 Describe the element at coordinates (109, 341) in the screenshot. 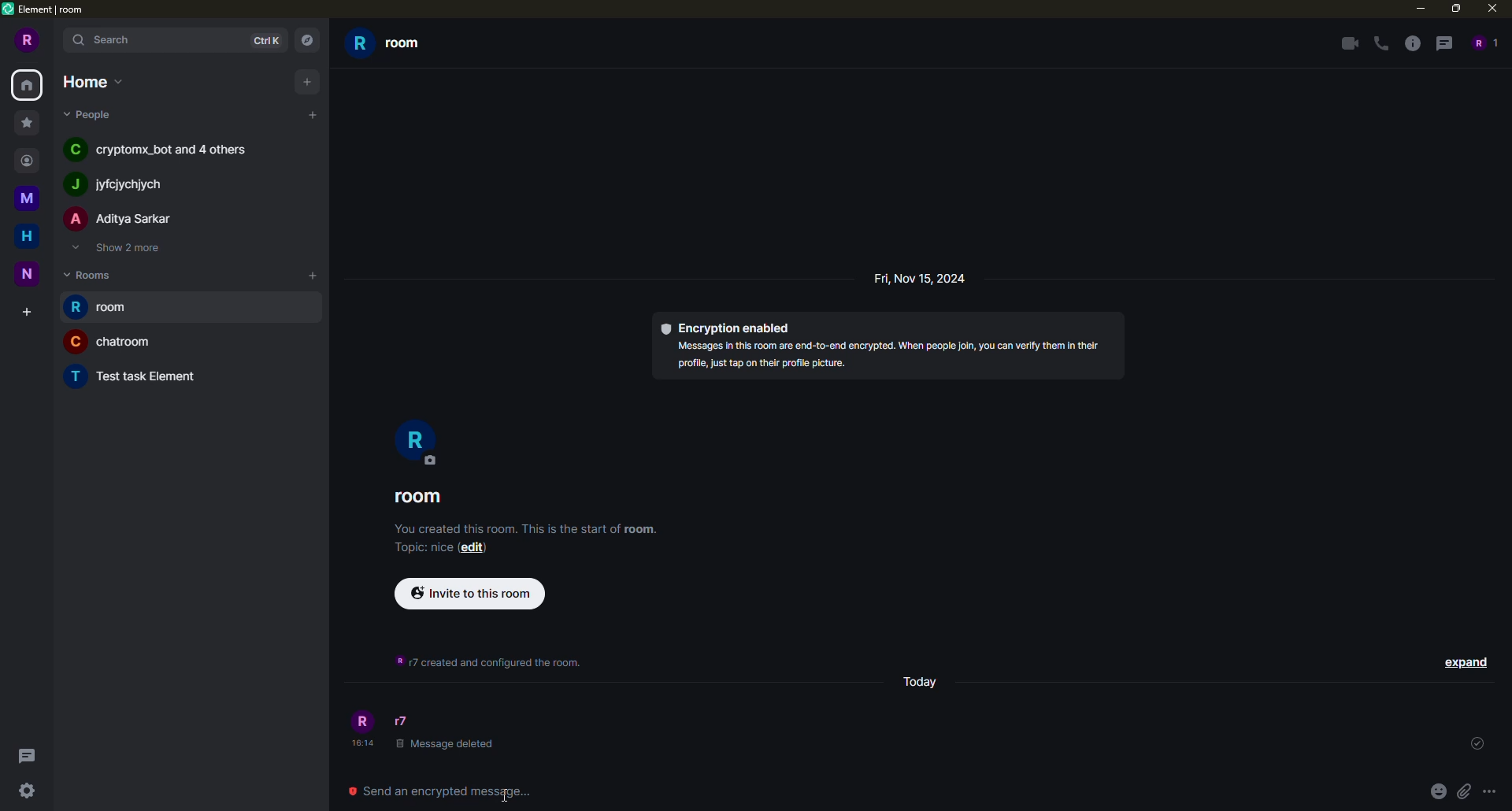

I see `room` at that location.